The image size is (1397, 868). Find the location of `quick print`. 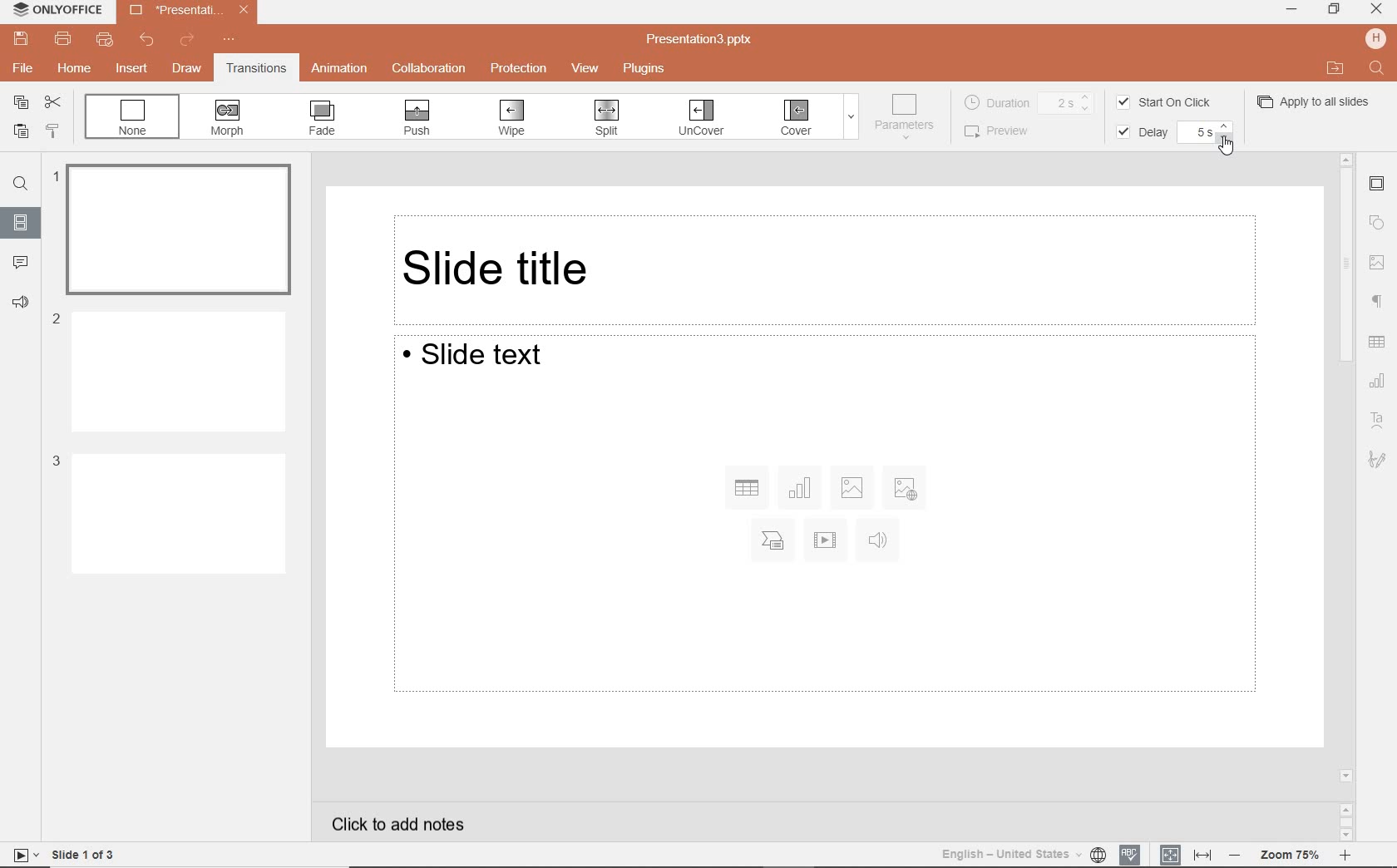

quick print is located at coordinates (103, 41).